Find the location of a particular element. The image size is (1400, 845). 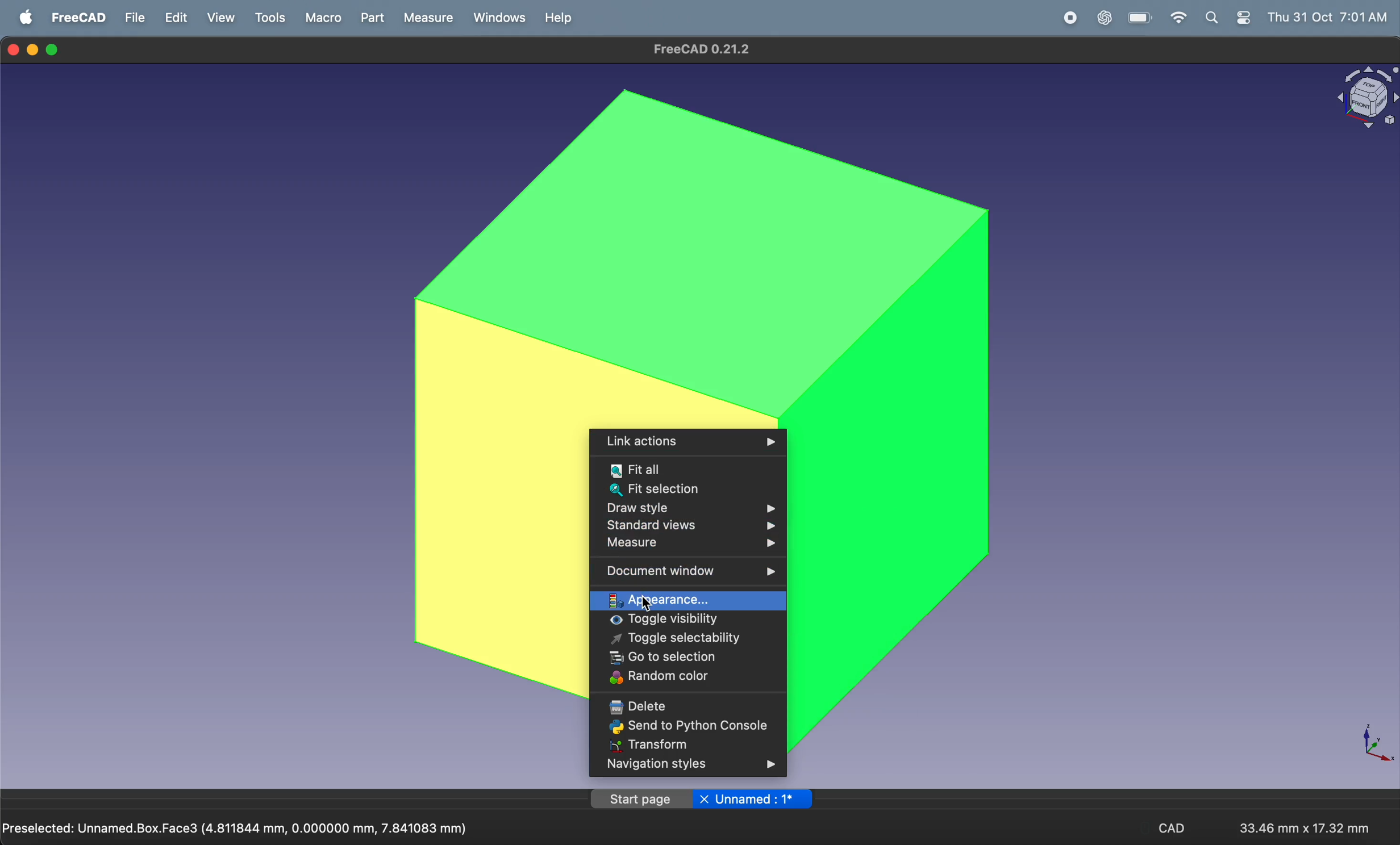

minimize is located at coordinates (35, 49).